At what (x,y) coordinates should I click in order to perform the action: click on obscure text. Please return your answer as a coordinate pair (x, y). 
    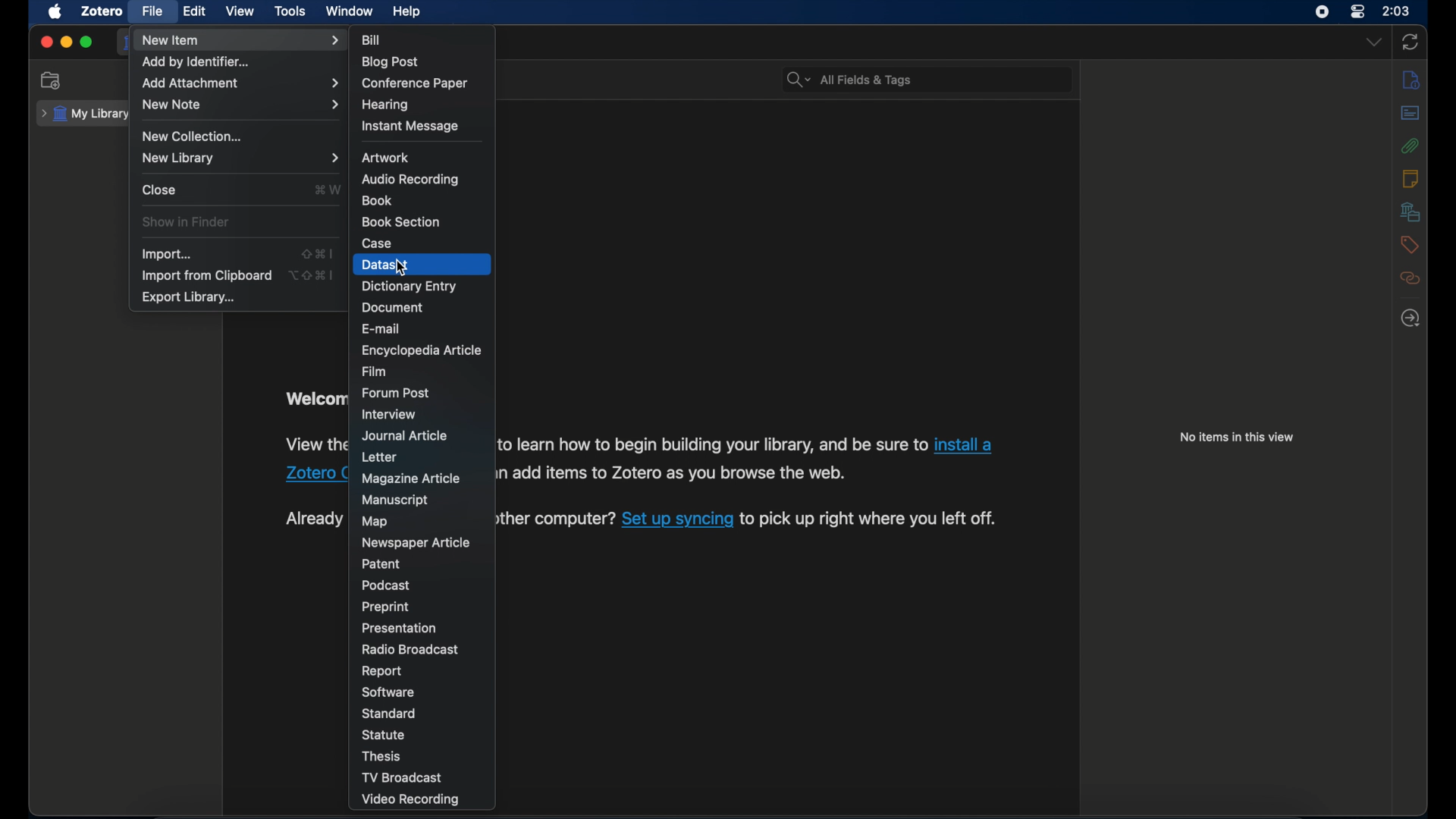
    Looking at the image, I should click on (314, 400).